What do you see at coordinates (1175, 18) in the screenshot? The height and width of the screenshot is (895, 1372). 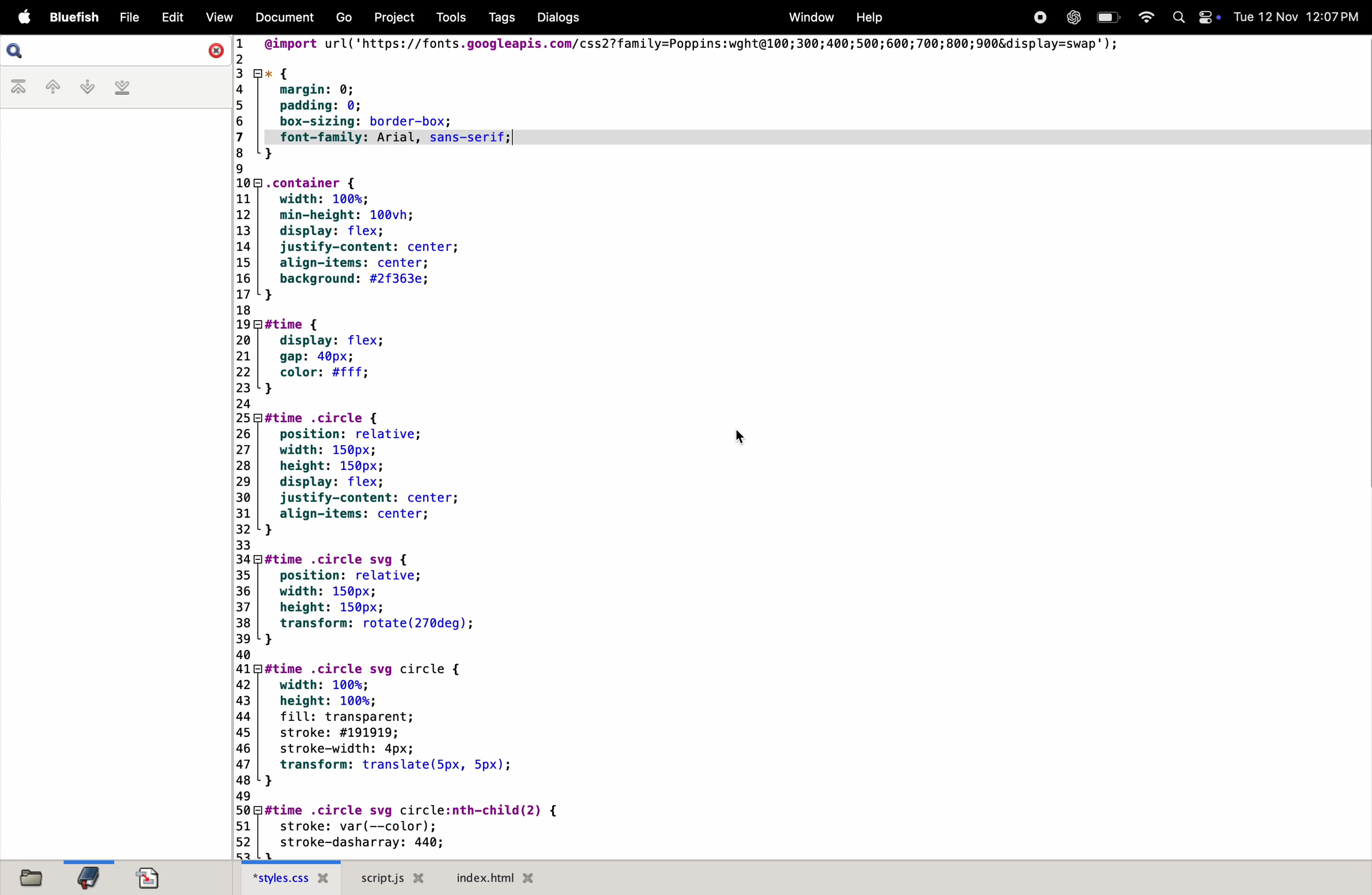 I see `Spotlight` at bounding box center [1175, 18].